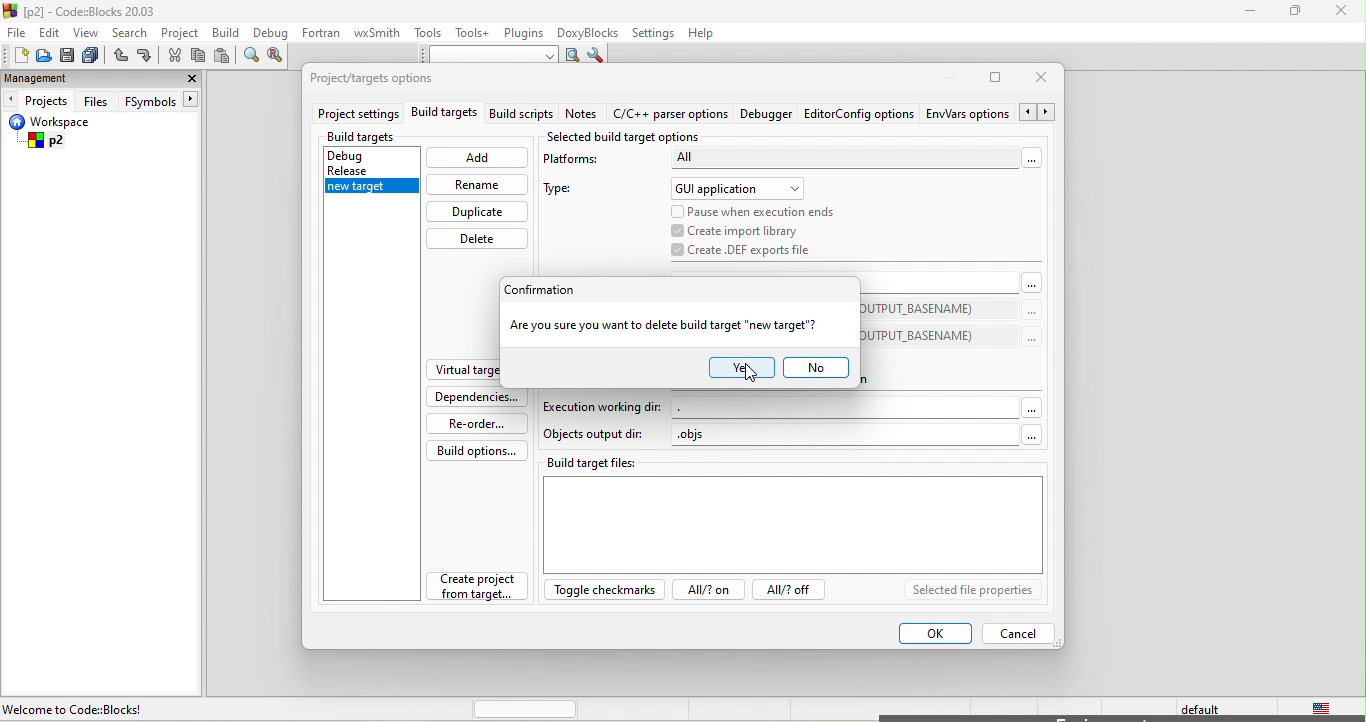  What do you see at coordinates (429, 35) in the screenshot?
I see `tools` at bounding box center [429, 35].